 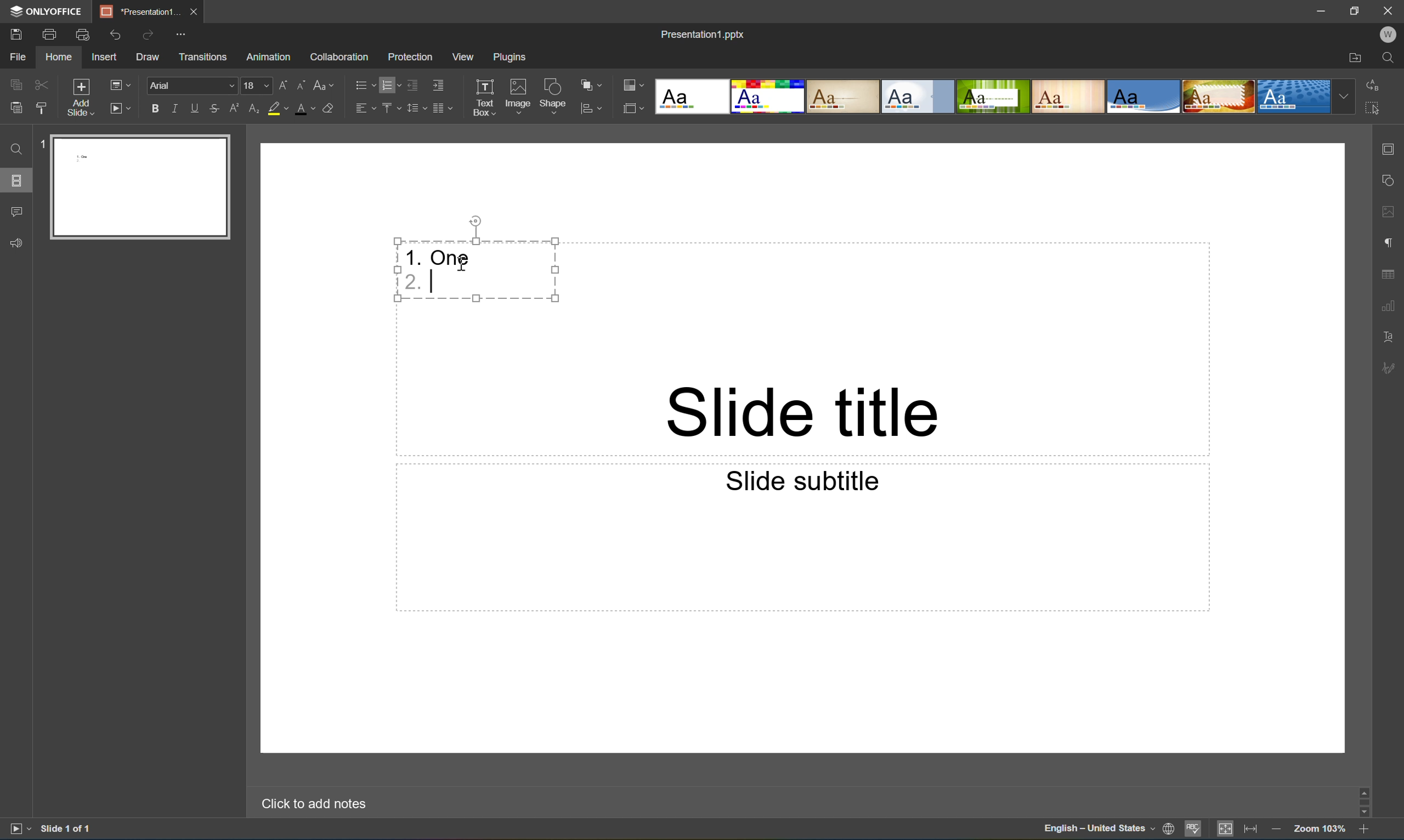 I want to click on Welcome, so click(x=1389, y=34).